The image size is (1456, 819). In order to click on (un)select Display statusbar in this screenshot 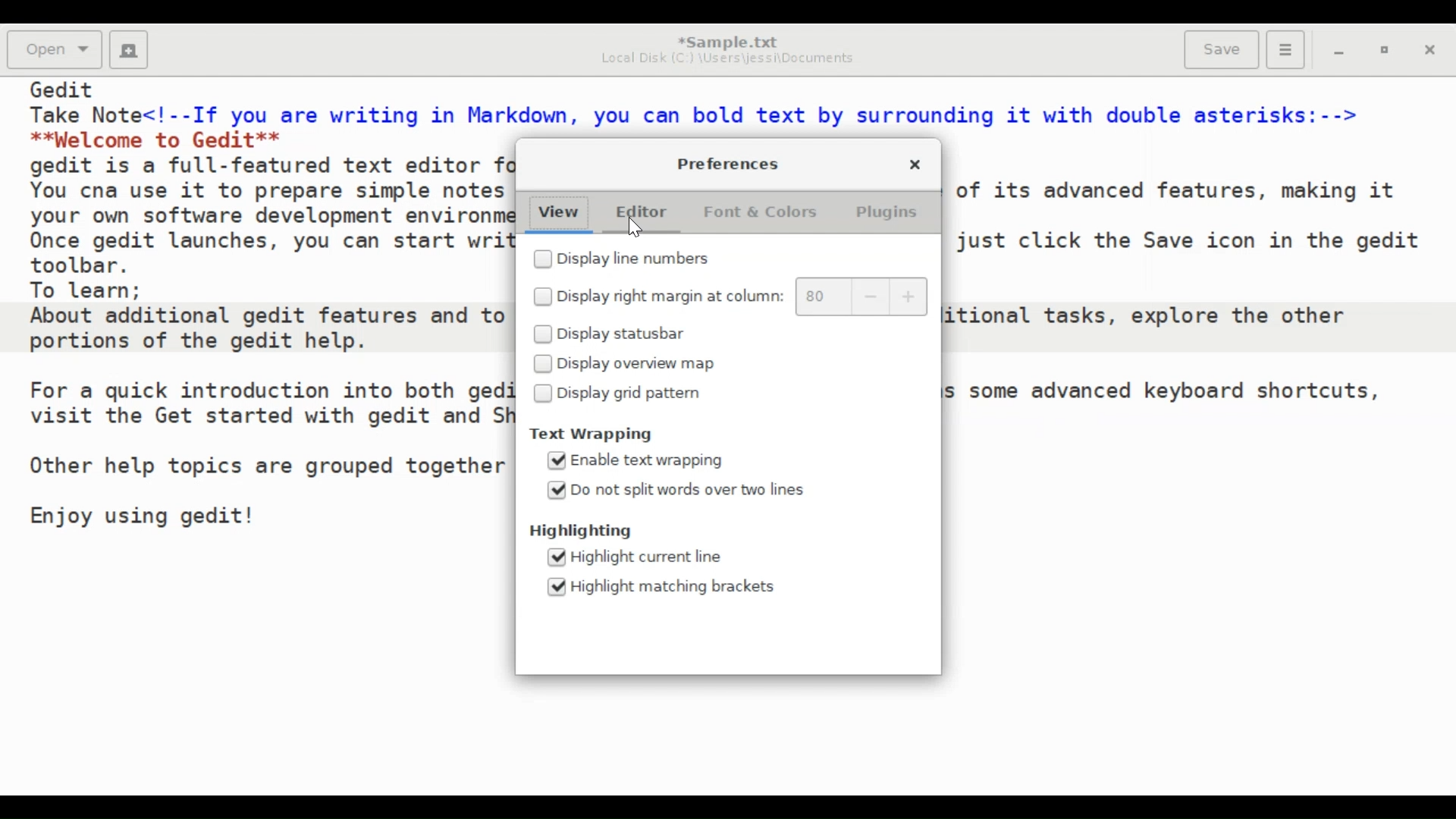, I will do `click(620, 334)`.